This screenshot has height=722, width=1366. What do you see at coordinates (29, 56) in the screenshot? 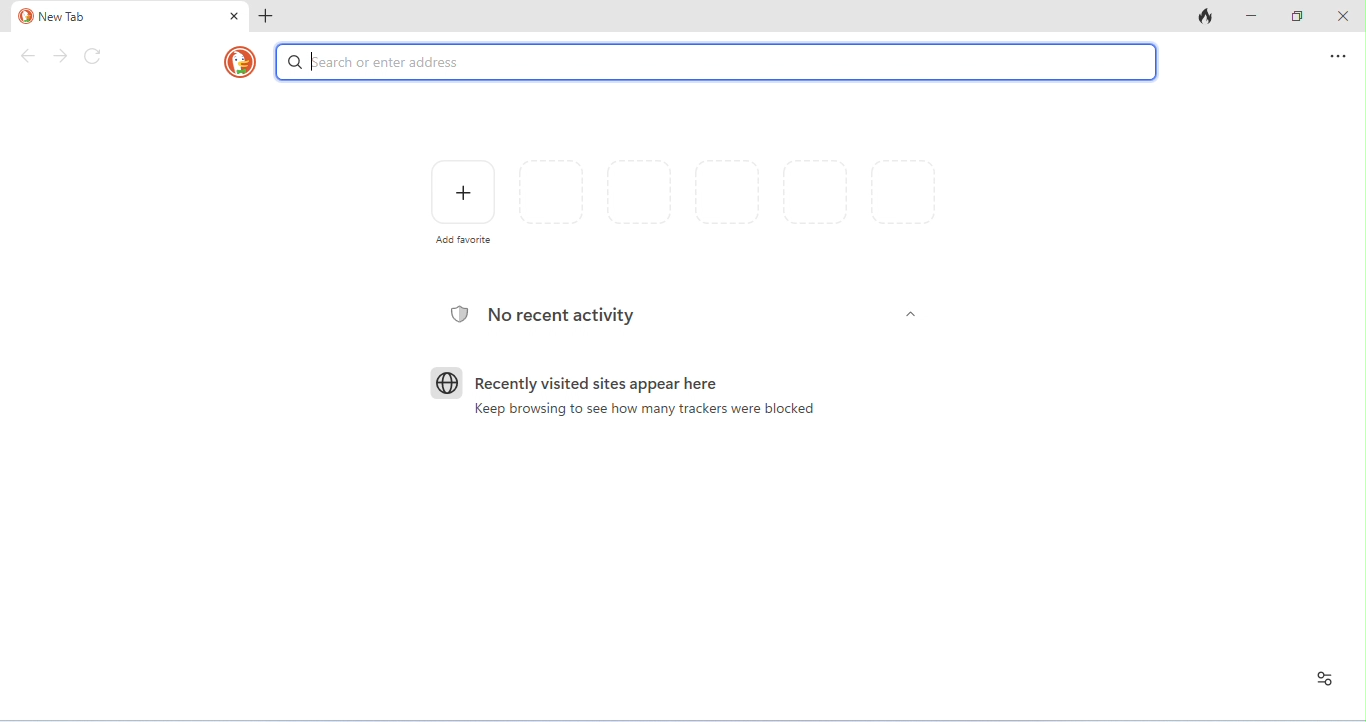
I see `back` at bounding box center [29, 56].